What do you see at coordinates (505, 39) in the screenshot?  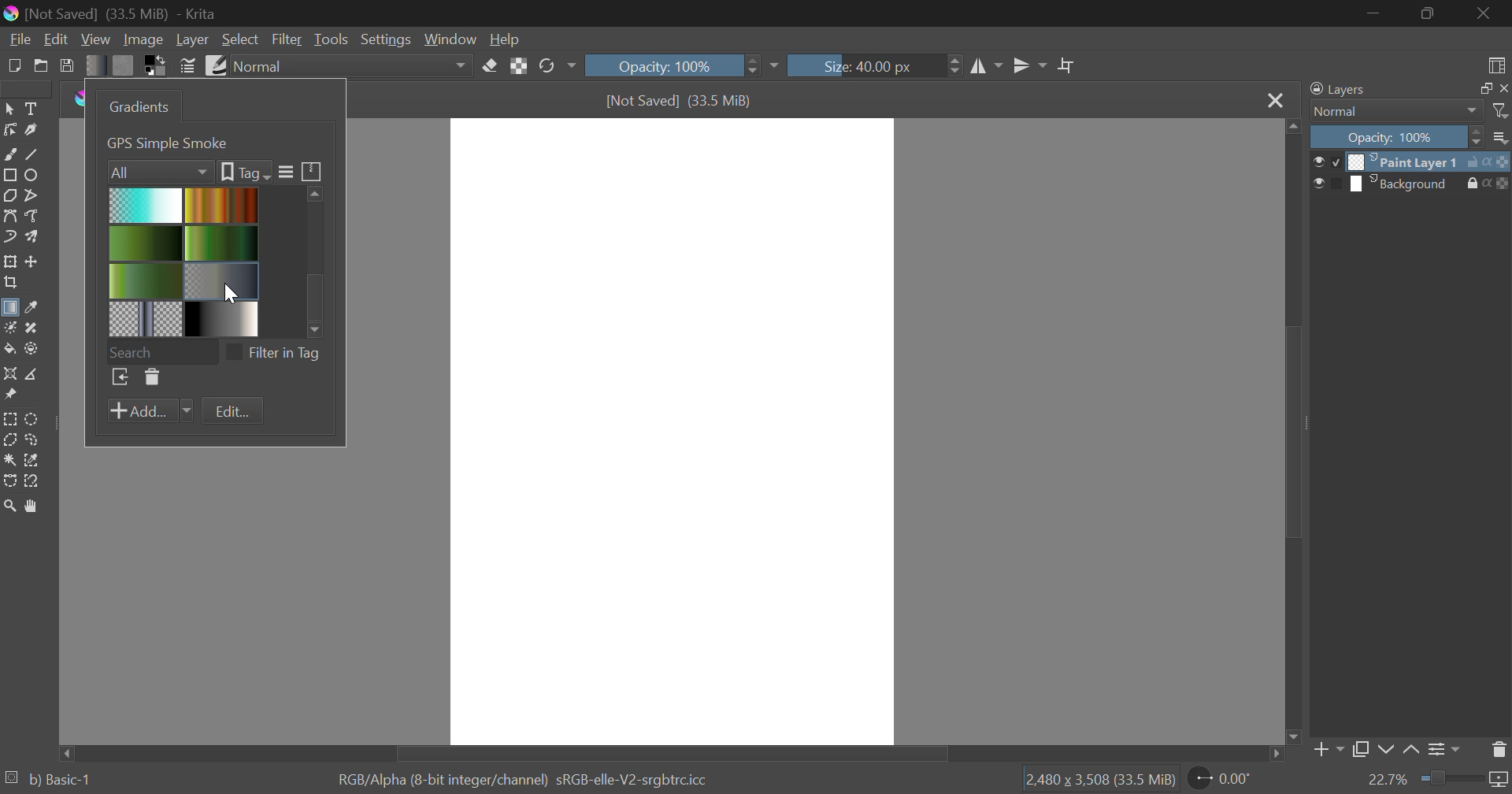 I see `Help` at bounding box center [505, 39].